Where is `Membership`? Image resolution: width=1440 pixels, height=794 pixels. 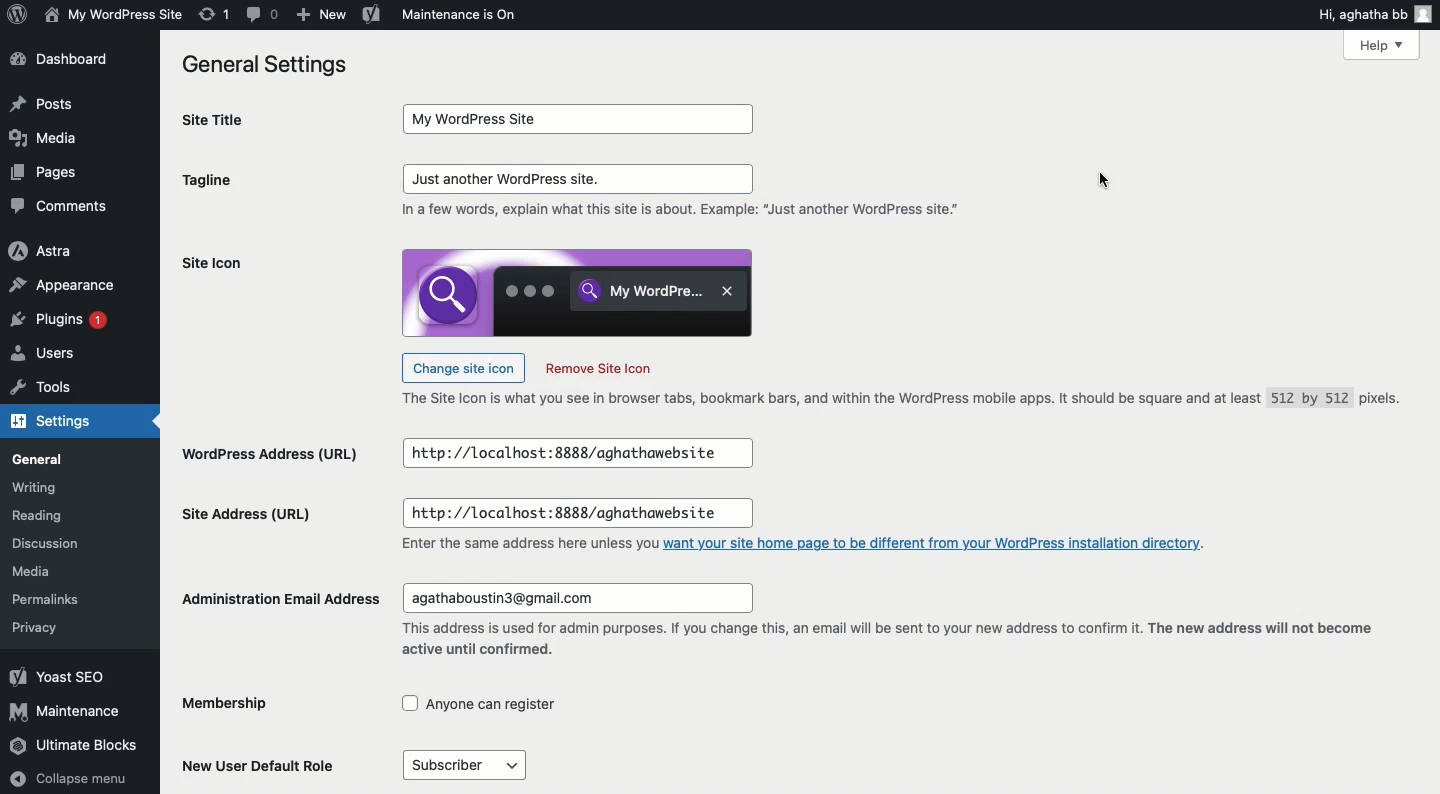 Membership is located at coordinates (243, 705).